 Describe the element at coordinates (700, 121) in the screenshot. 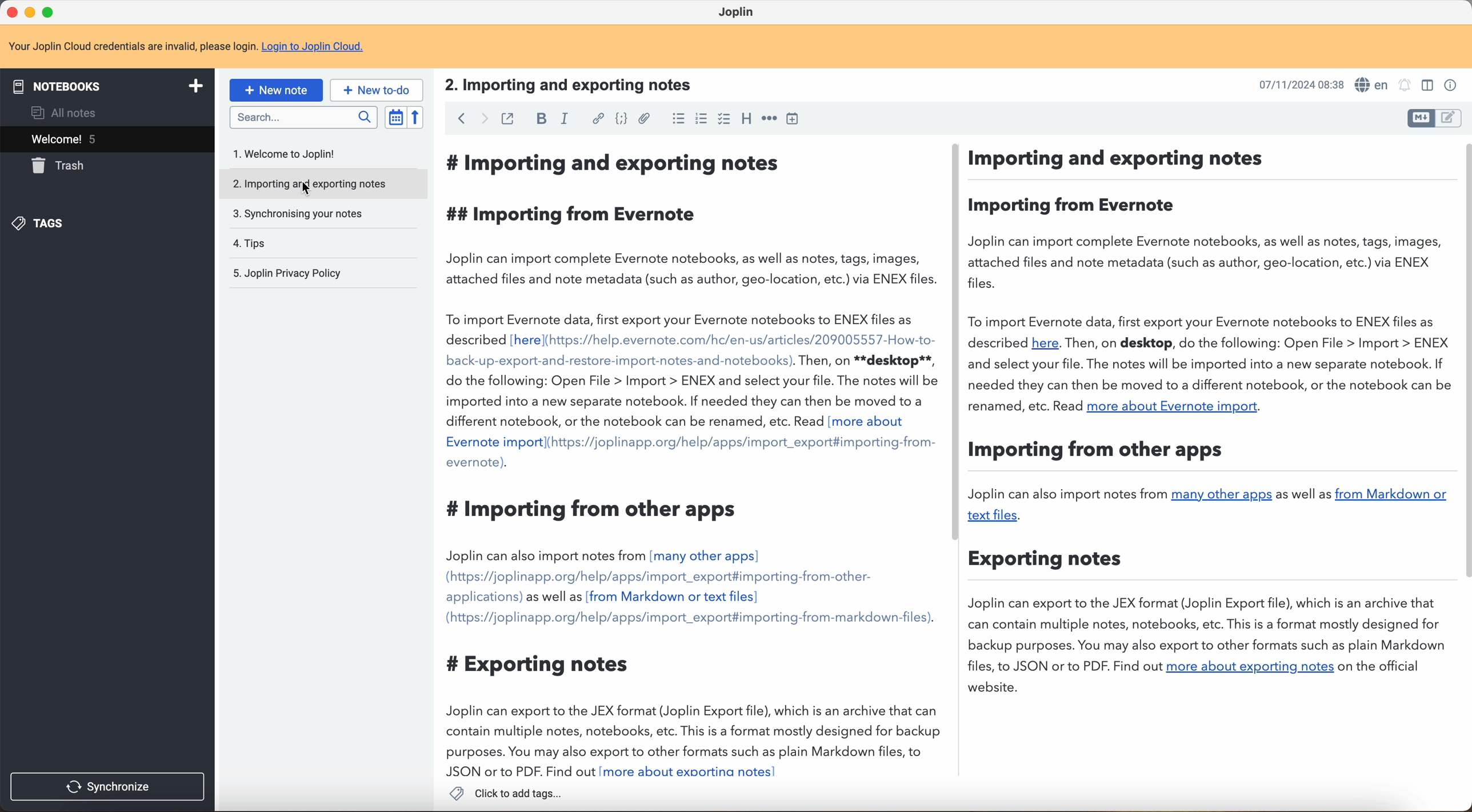

I see `numbered list` at that location.